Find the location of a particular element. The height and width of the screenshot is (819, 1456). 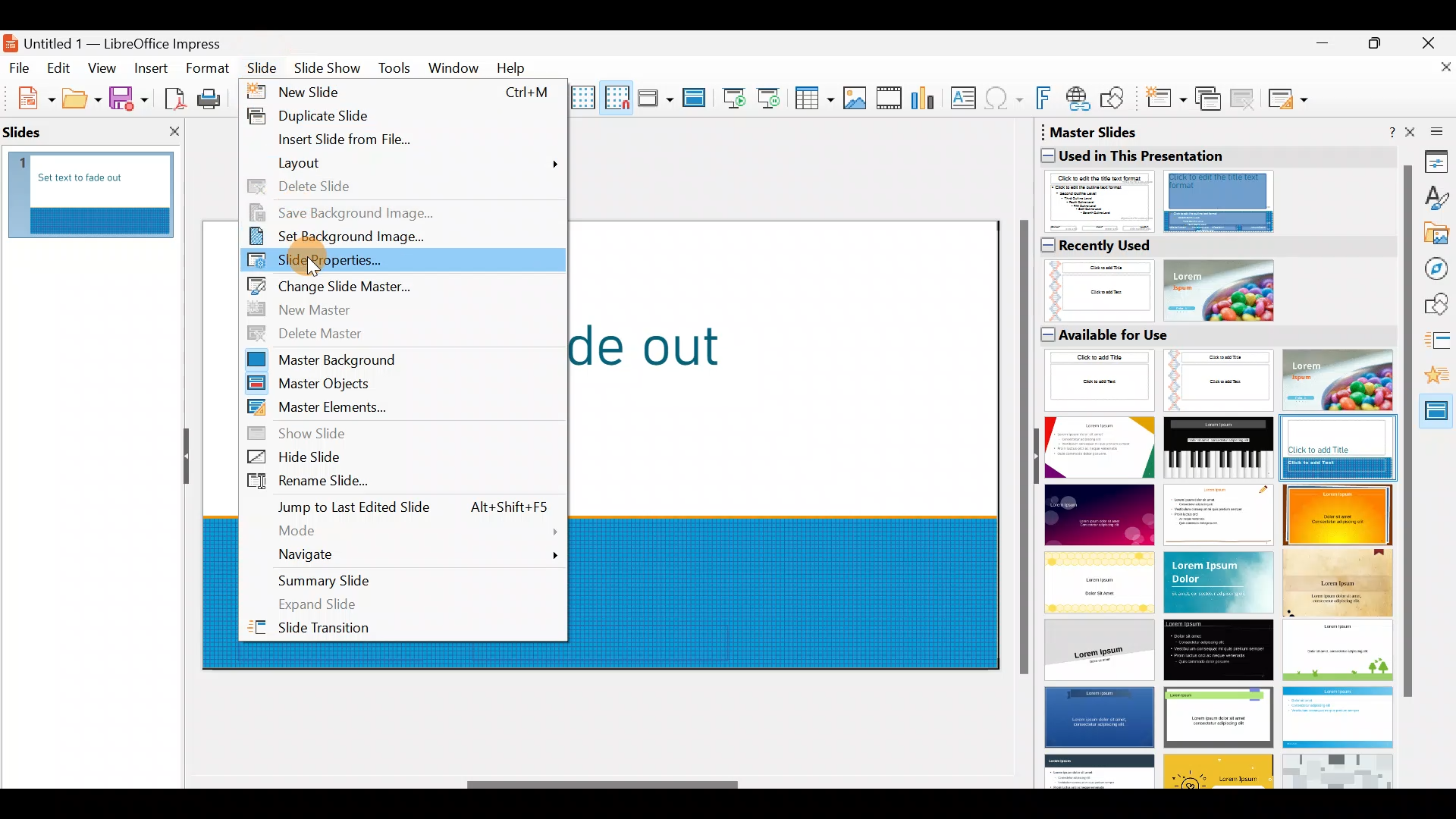

Insert fontwork text is located at coordinates (1046, 101).